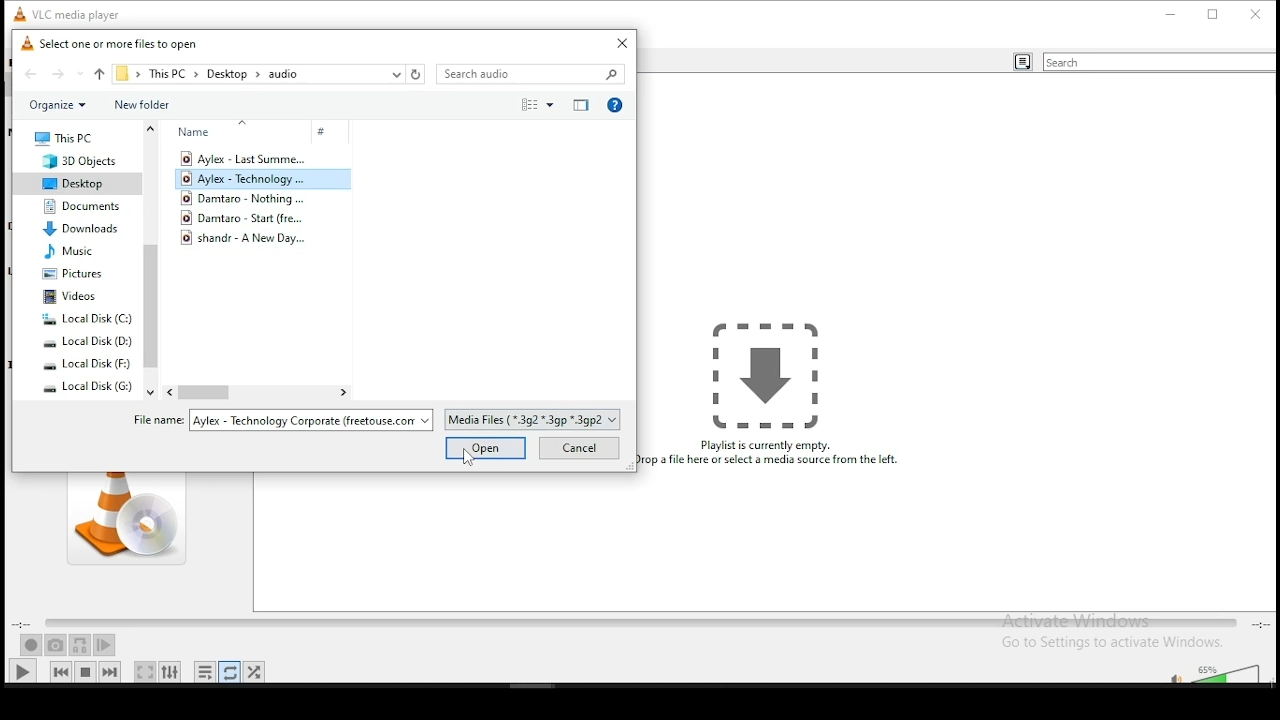 Image resolution: width=1280 pixels, height=720 pixels. What do you see at coordinates (247, 180) in the screenshot?
I see `Aylex- technology` at bounding box center [247, 180].